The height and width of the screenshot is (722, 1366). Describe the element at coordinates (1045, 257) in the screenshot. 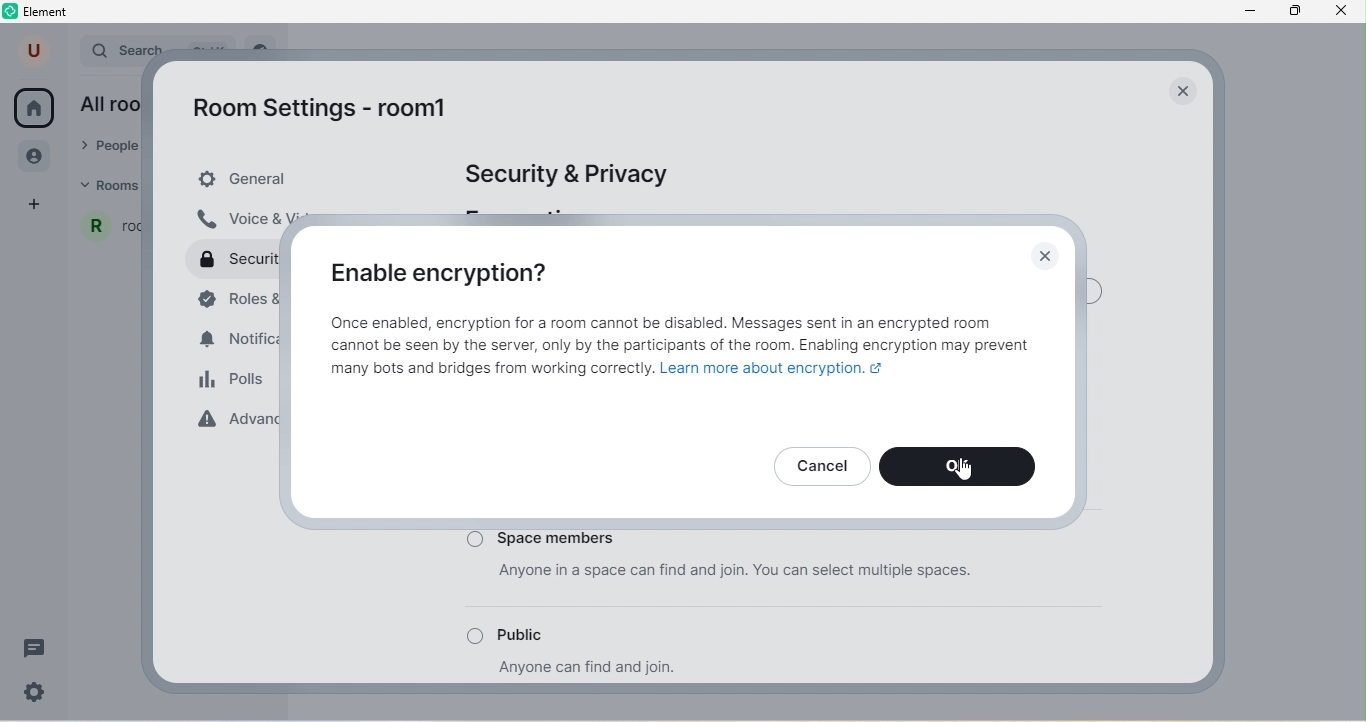

I see `close` at that location.